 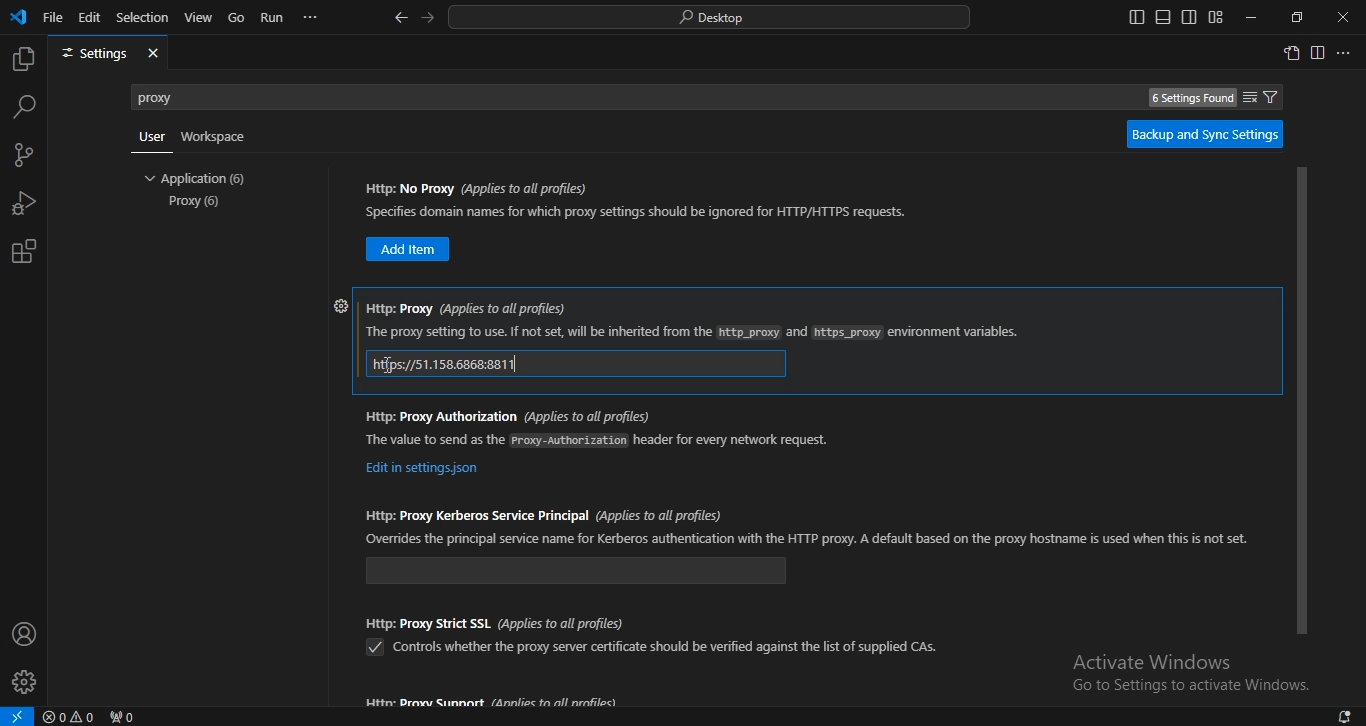 What do you see at coordinates (1253, 19) in the screenshot?
I see `minimize` at bounding box center [1253, 19].